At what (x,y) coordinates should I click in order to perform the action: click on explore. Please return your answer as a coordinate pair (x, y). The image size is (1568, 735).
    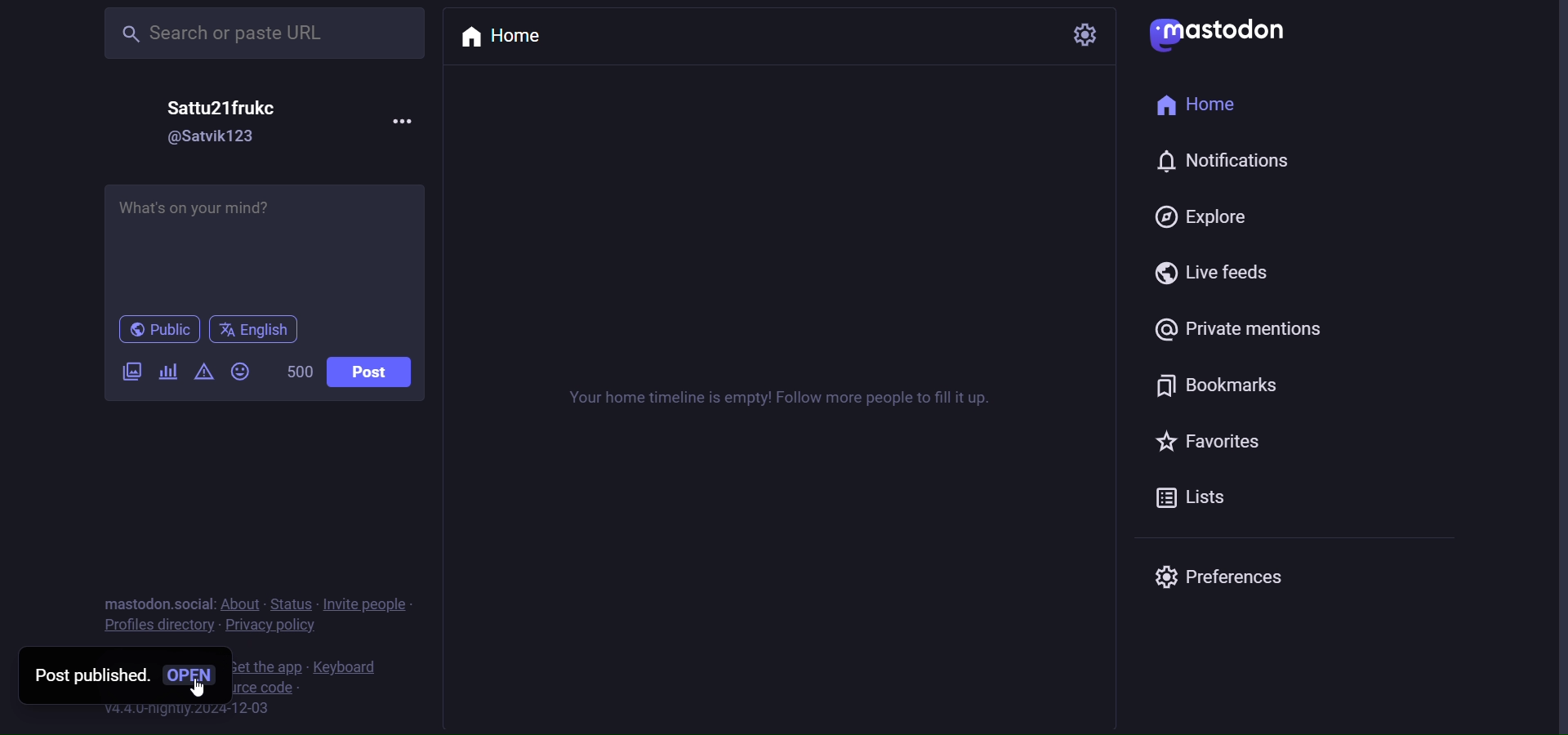
    Looking at the image, I should click on (1196, 219).